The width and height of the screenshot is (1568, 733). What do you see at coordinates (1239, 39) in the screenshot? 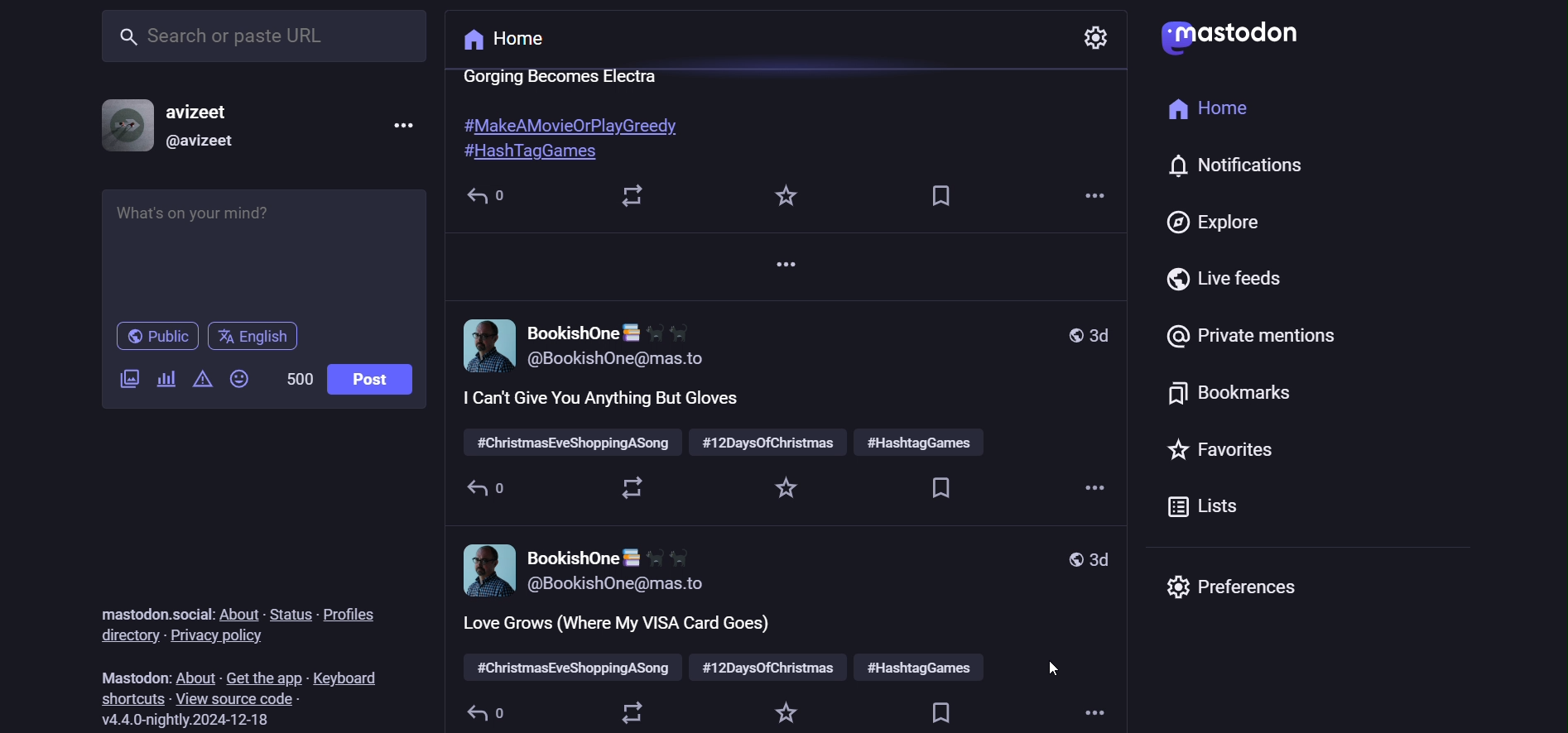
I see `logo` at bounding box center [1239, 39].